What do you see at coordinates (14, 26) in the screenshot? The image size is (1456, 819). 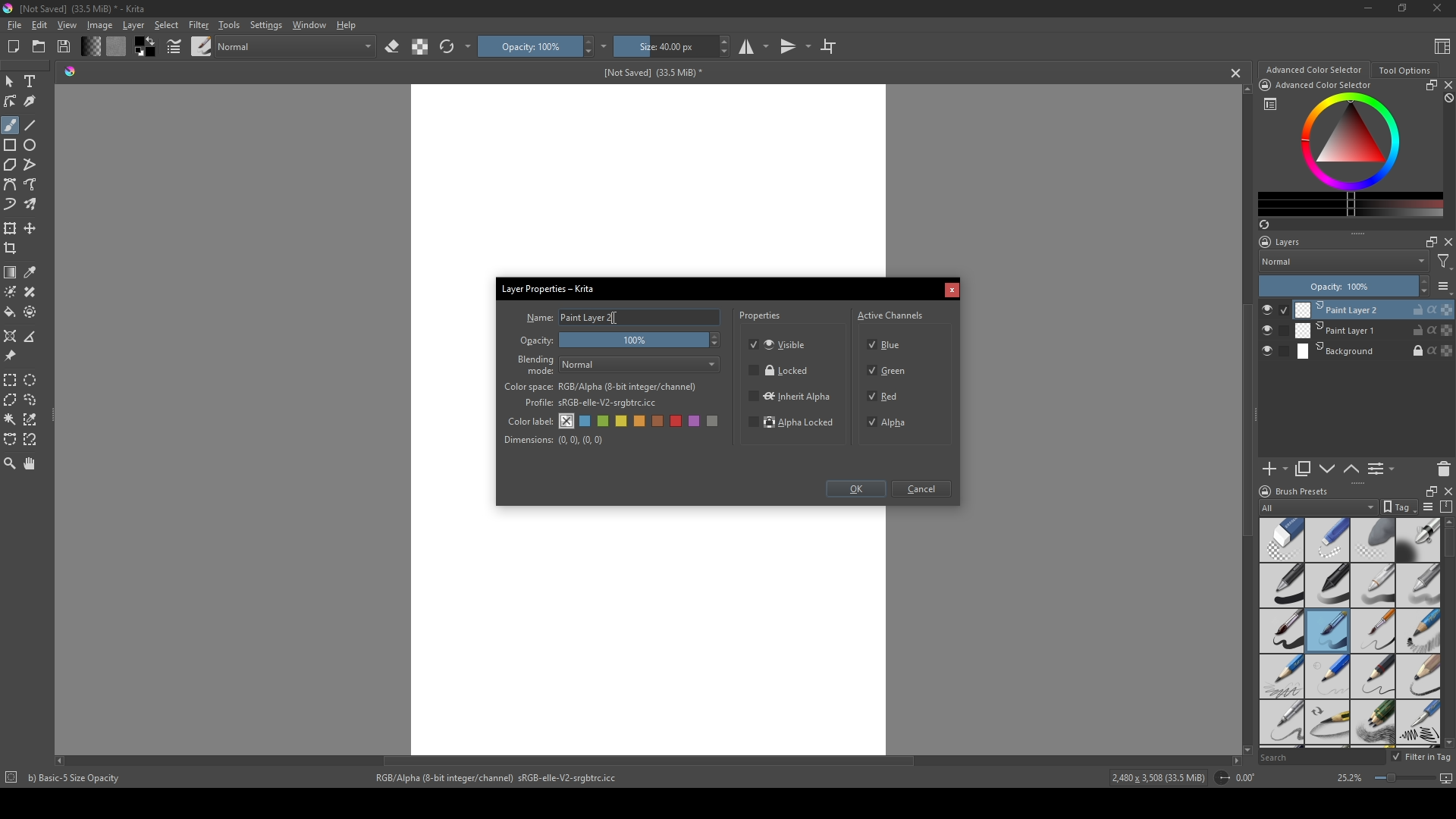 I see `file` at bounding box center [14, 26].